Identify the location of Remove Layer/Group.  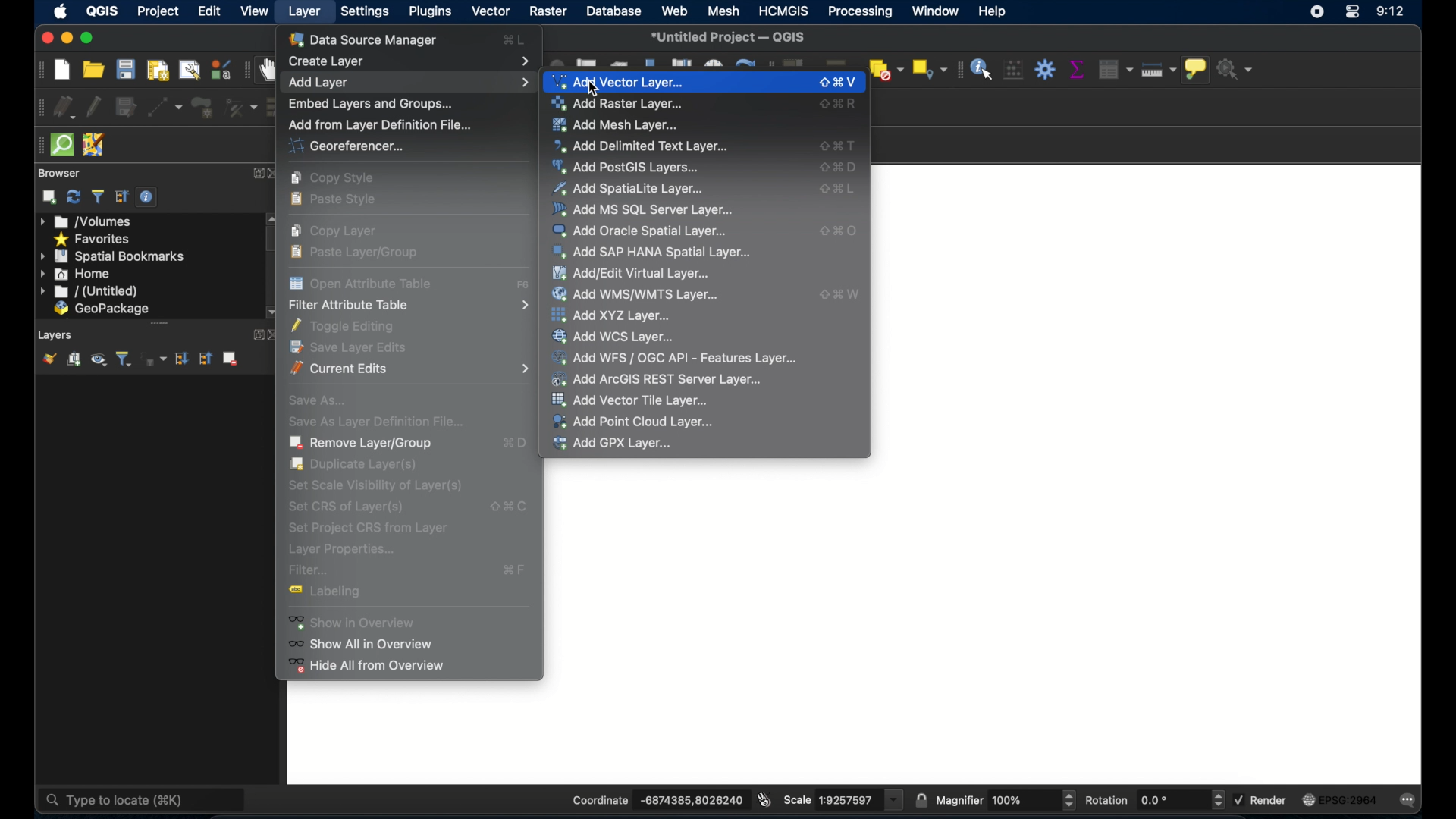
(413, 444).